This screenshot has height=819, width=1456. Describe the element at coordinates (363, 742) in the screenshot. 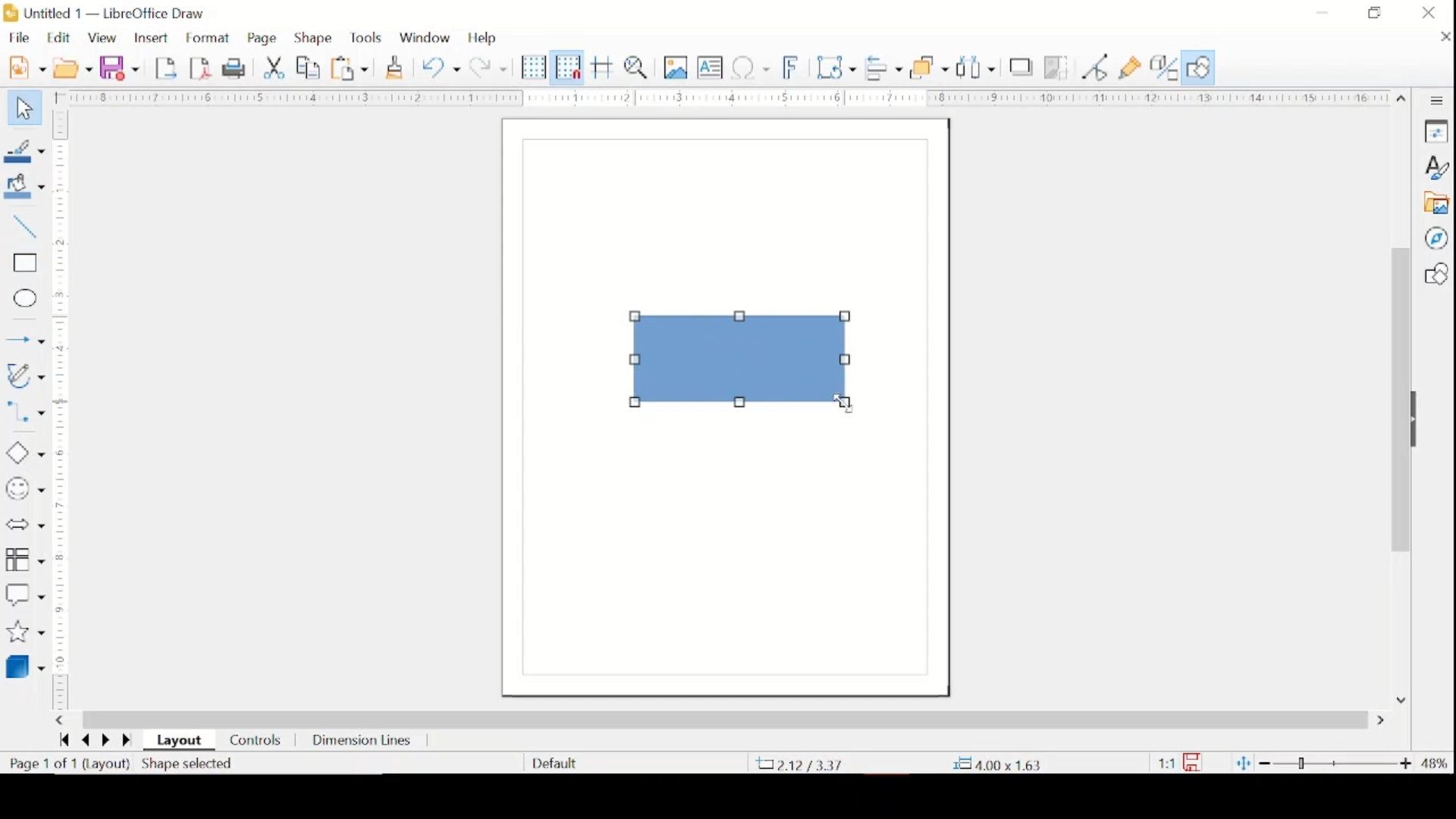

I see `dimension lines` at that location.